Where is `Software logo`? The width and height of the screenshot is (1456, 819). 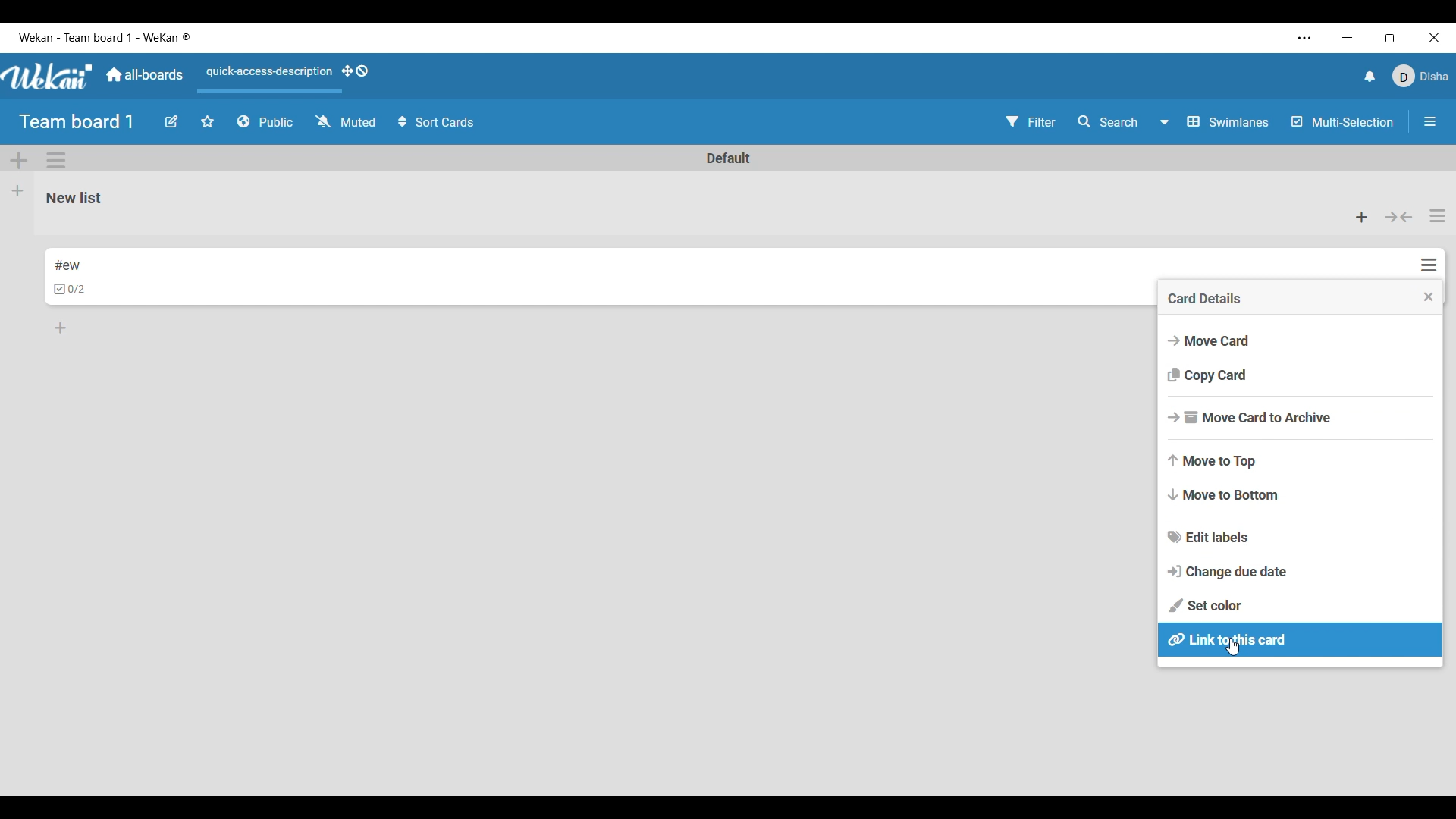 Software logo is located at coordinates (49, 77).